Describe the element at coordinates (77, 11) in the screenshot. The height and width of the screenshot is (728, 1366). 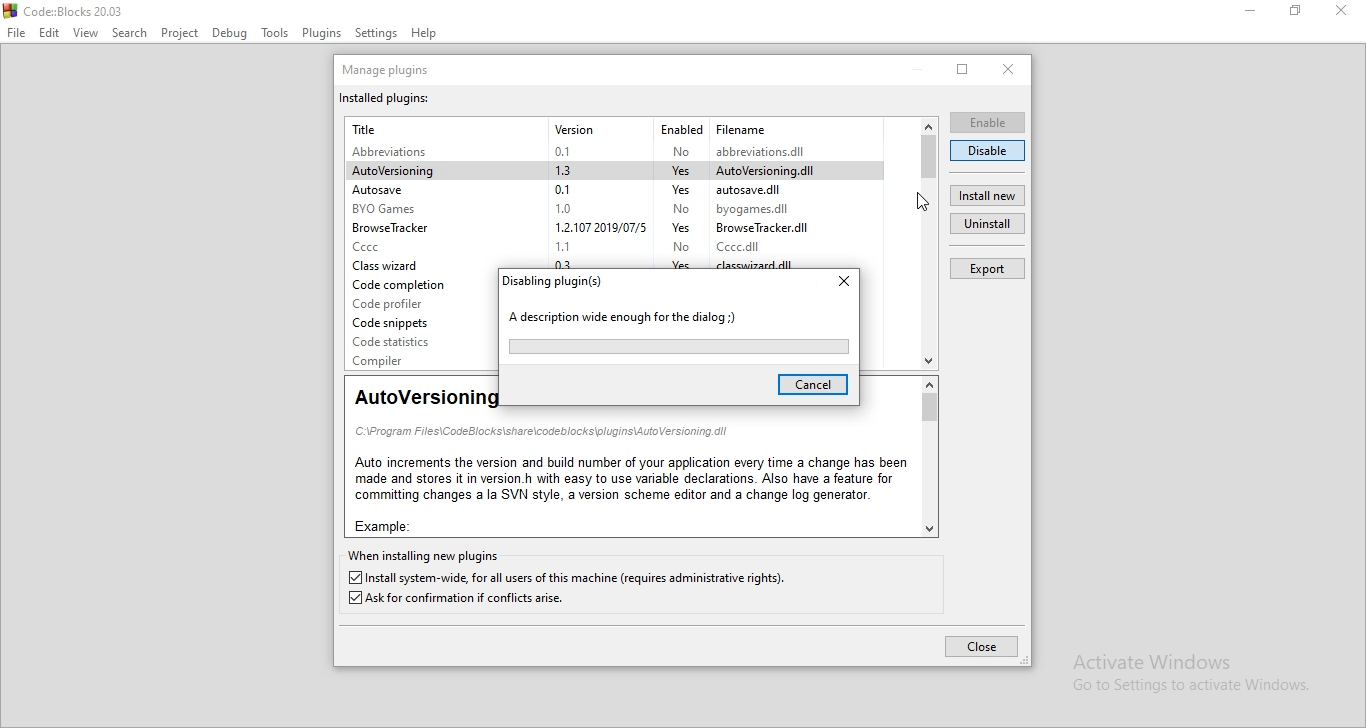
I see `Code: Blocks 20.03` at that location.